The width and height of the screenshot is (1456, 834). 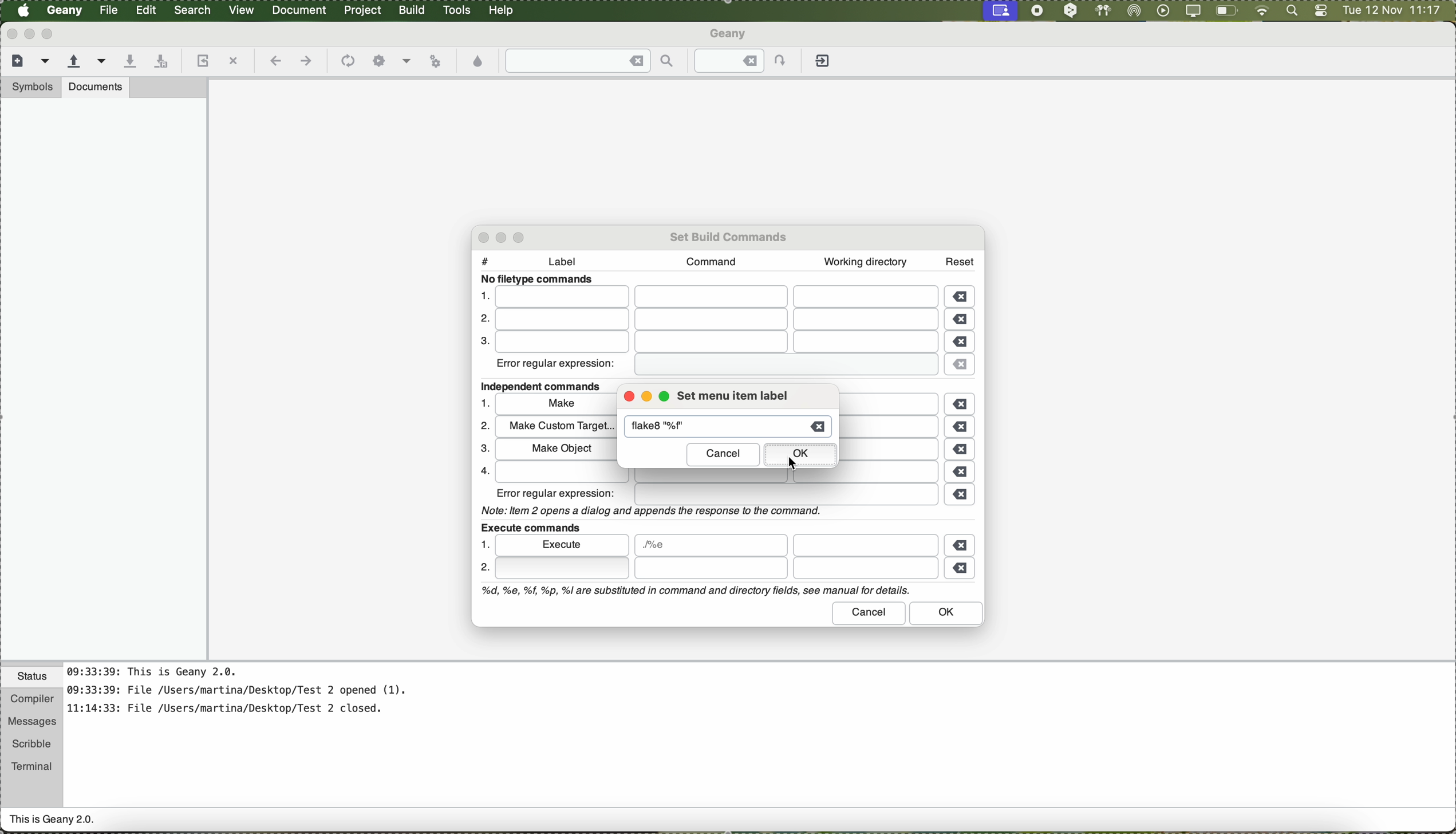 I want to click on flake8, so click(x=668, y=427).